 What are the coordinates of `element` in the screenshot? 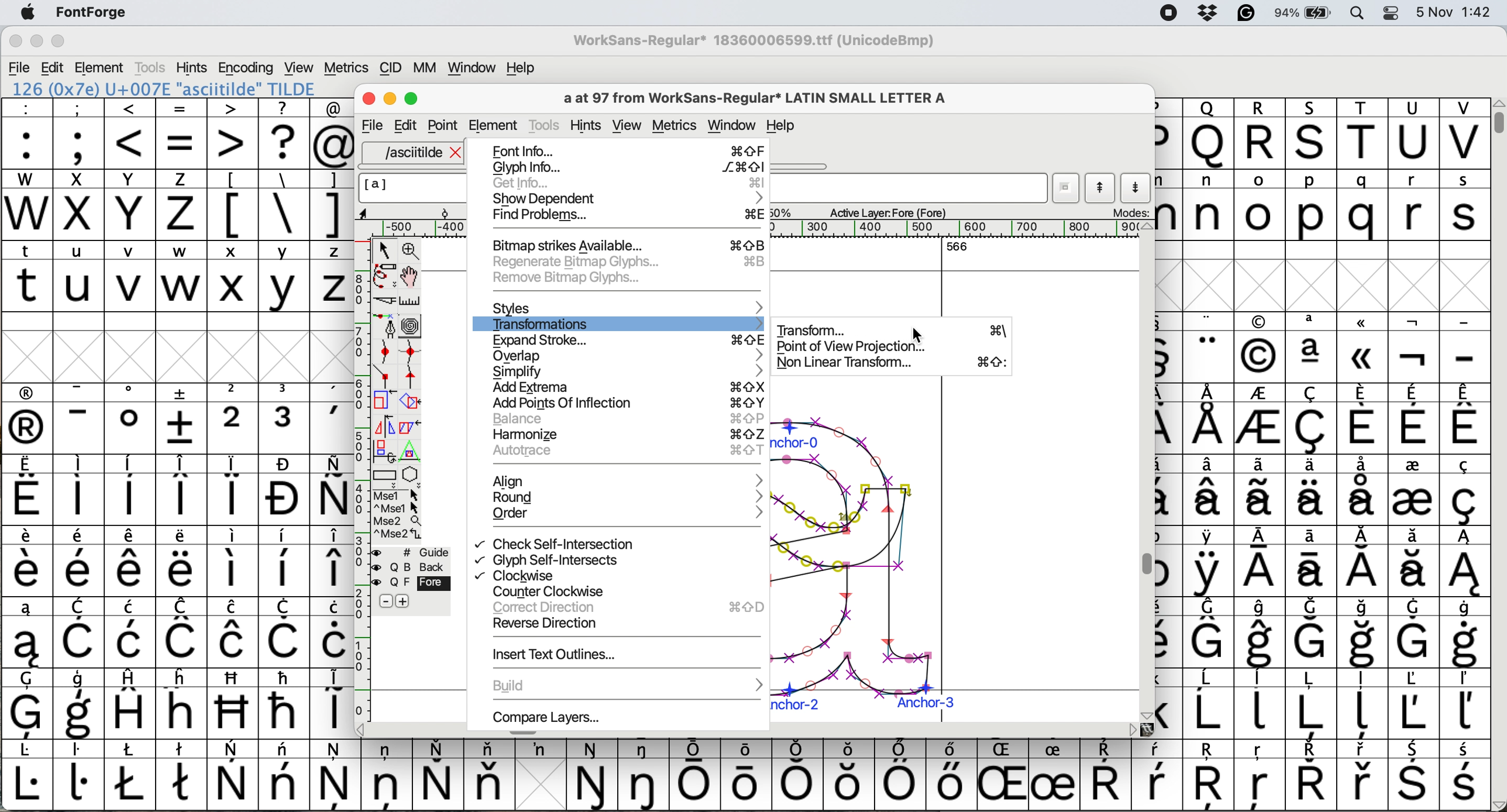 It's located at (101, 67).